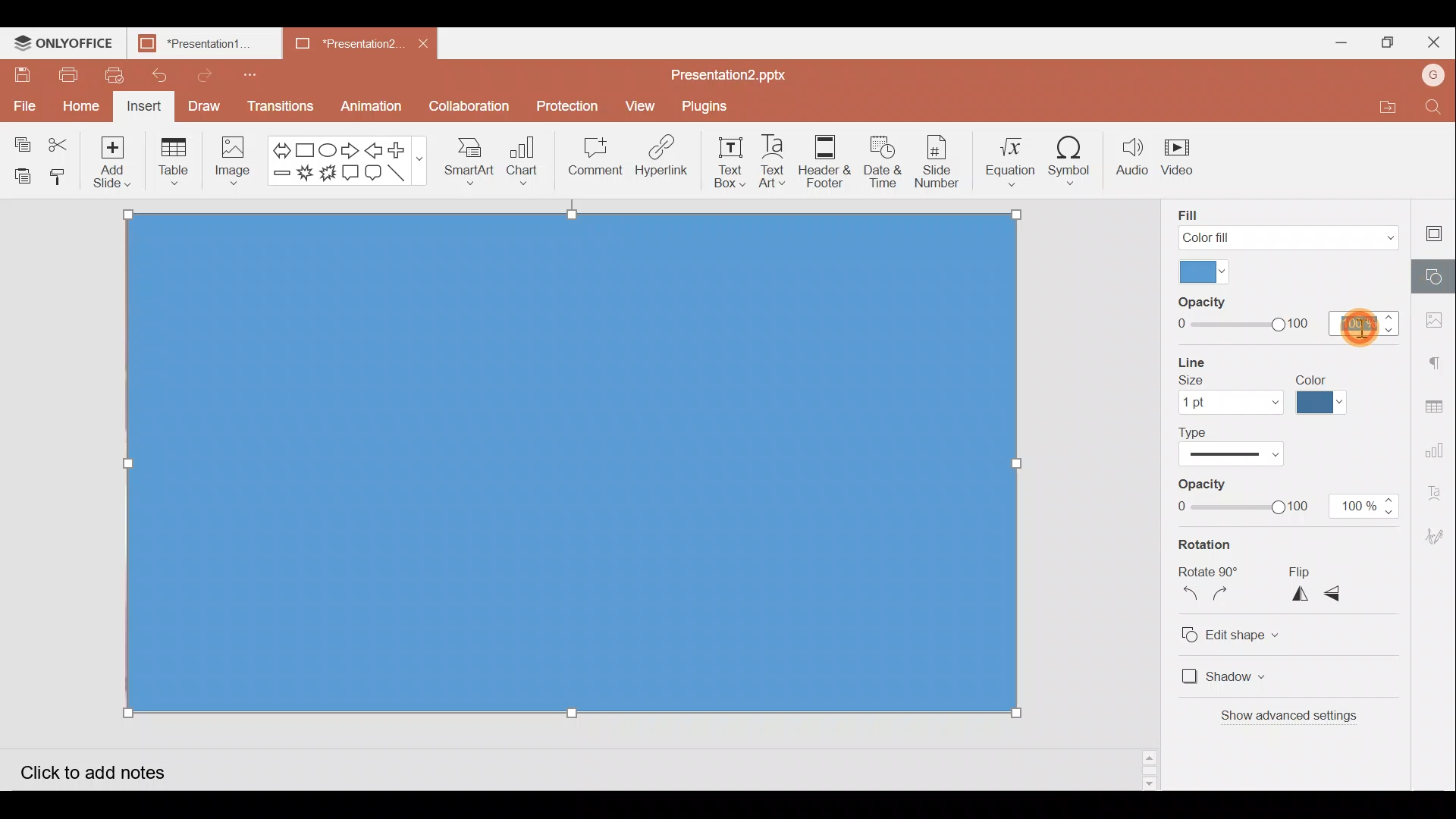 Image resolution: width=1456 pixels, height=819 pixels. I want to click on Left arrow, so click(374, 149).